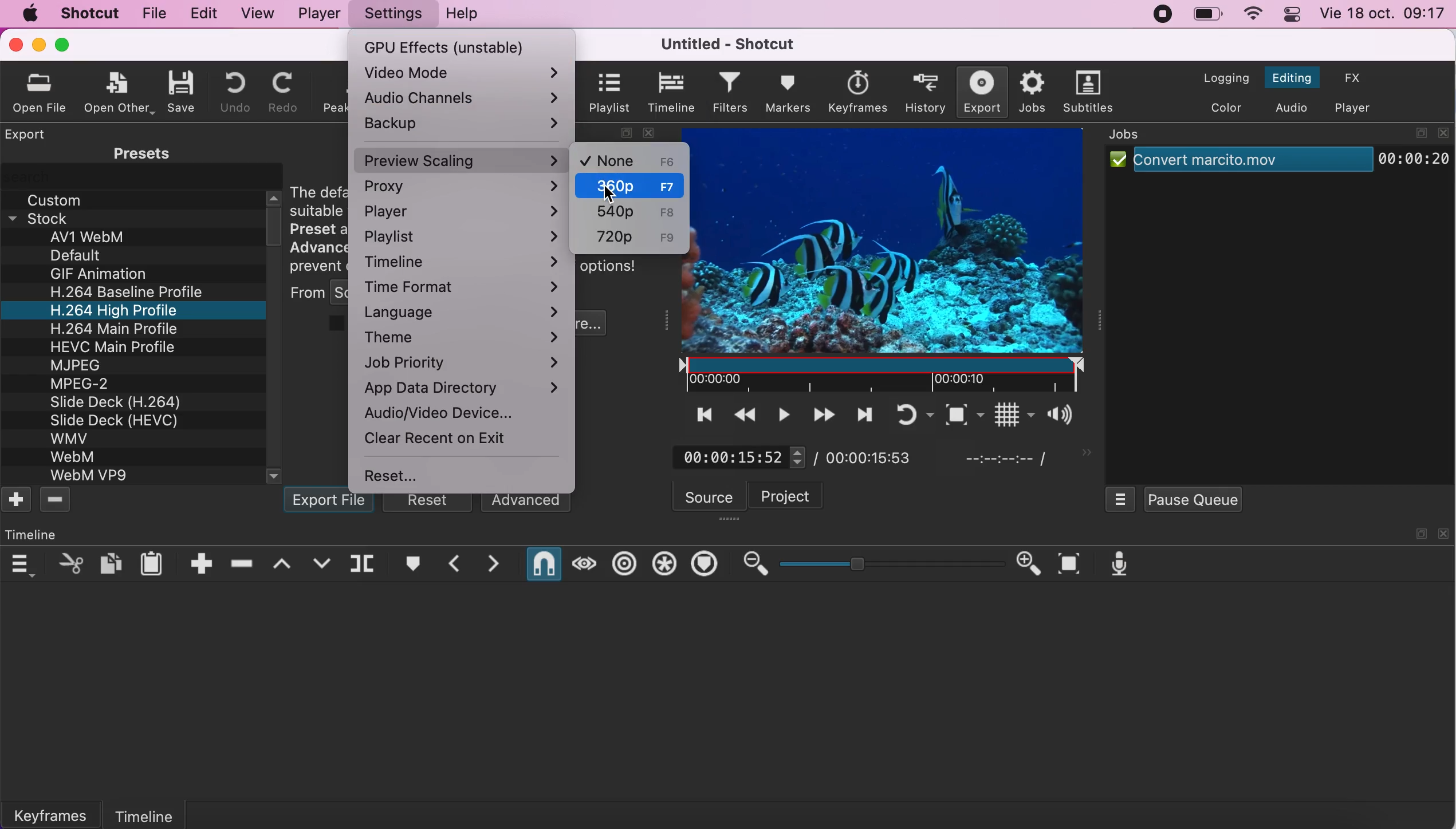 This screenshot has width=1456, height=829. Describe the element at coordinates (1291, 108) in the screenshot. I see `switch to the audio layout` at that location.